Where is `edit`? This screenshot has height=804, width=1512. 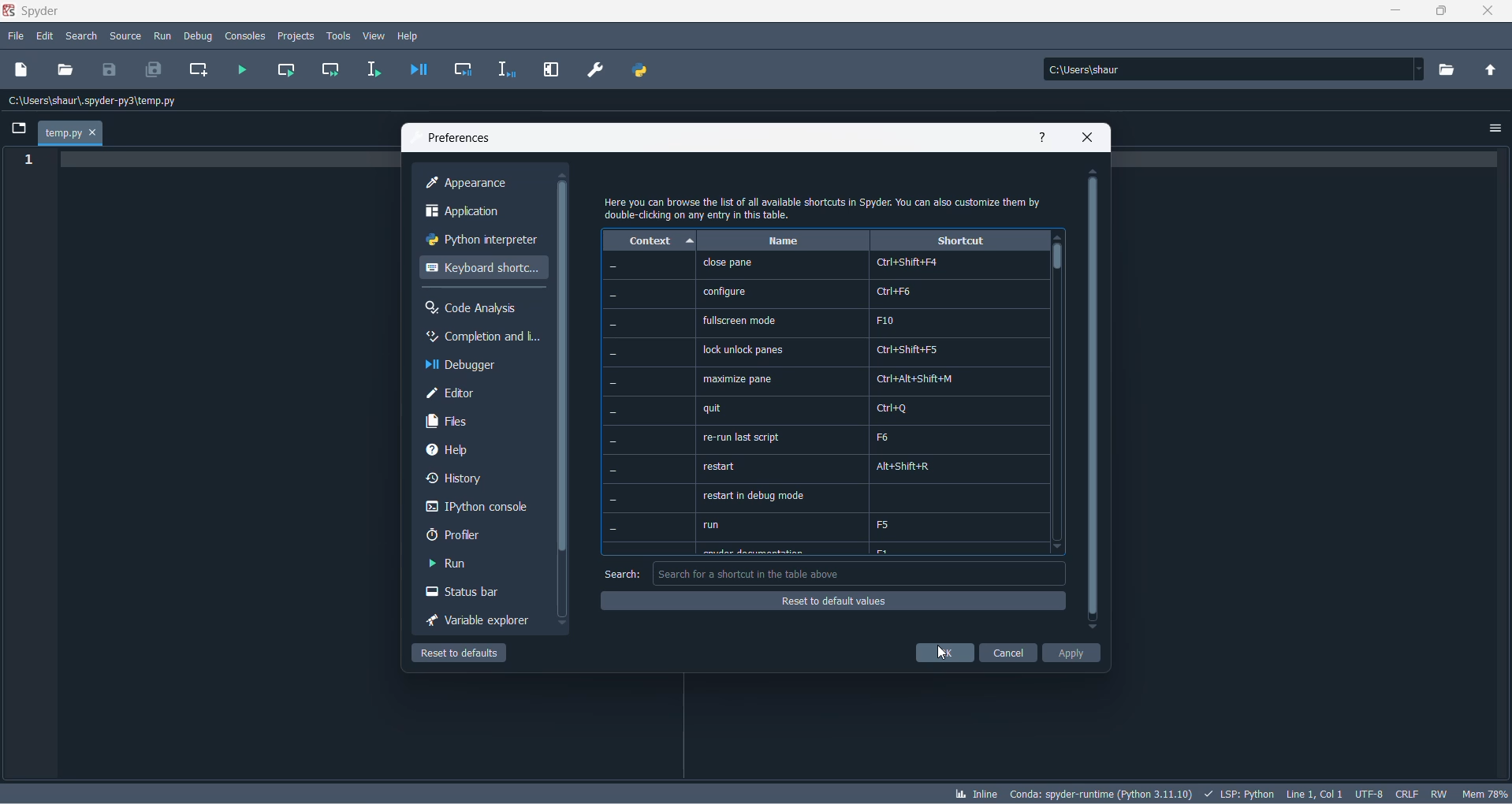
edit is located at coordinates (46, 36).